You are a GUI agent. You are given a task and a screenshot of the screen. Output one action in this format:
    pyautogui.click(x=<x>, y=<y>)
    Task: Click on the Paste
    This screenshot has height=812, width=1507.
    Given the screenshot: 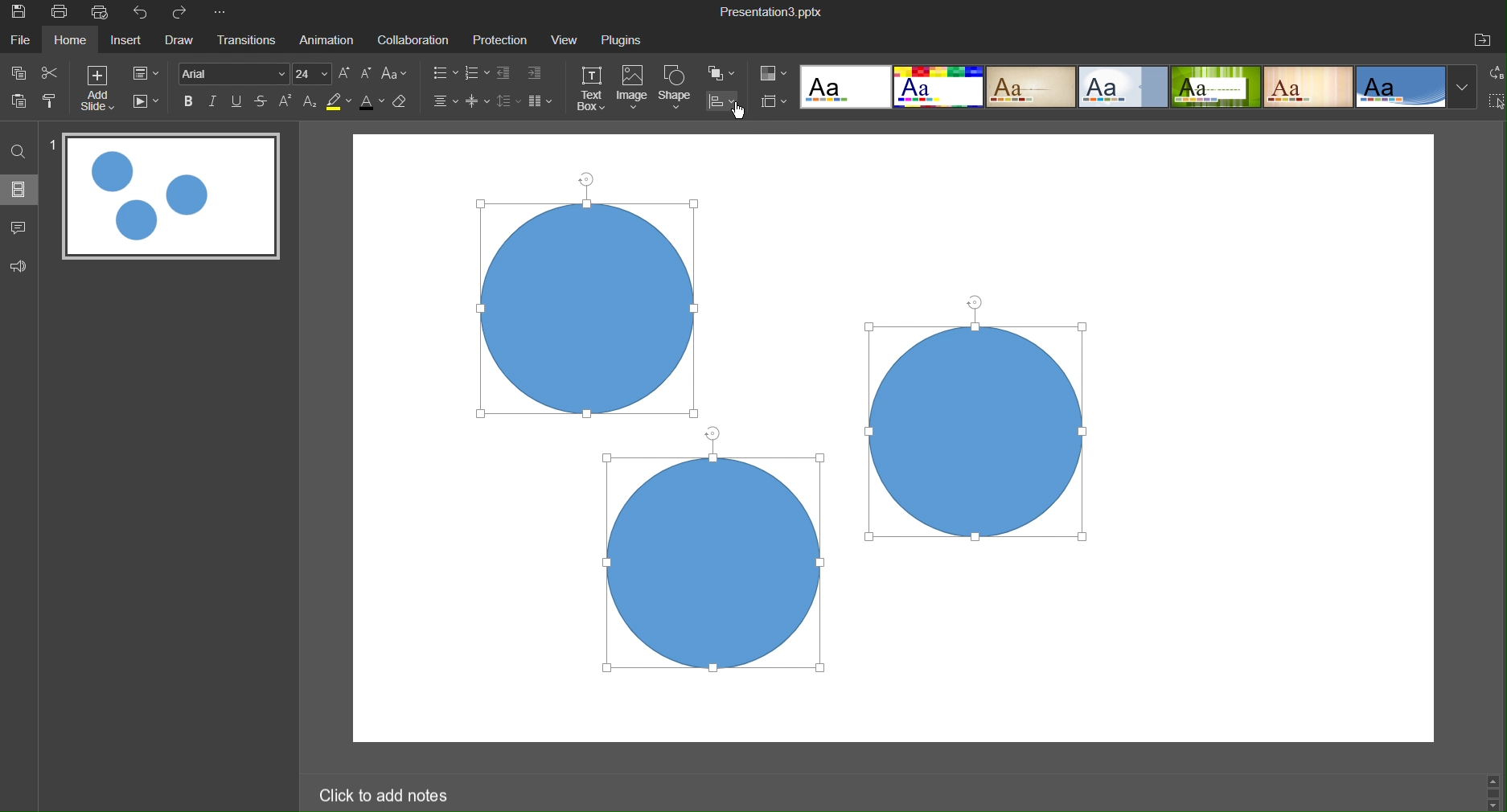 What is the action you would take?
    pyautogui.click(x=18, y=107)
    